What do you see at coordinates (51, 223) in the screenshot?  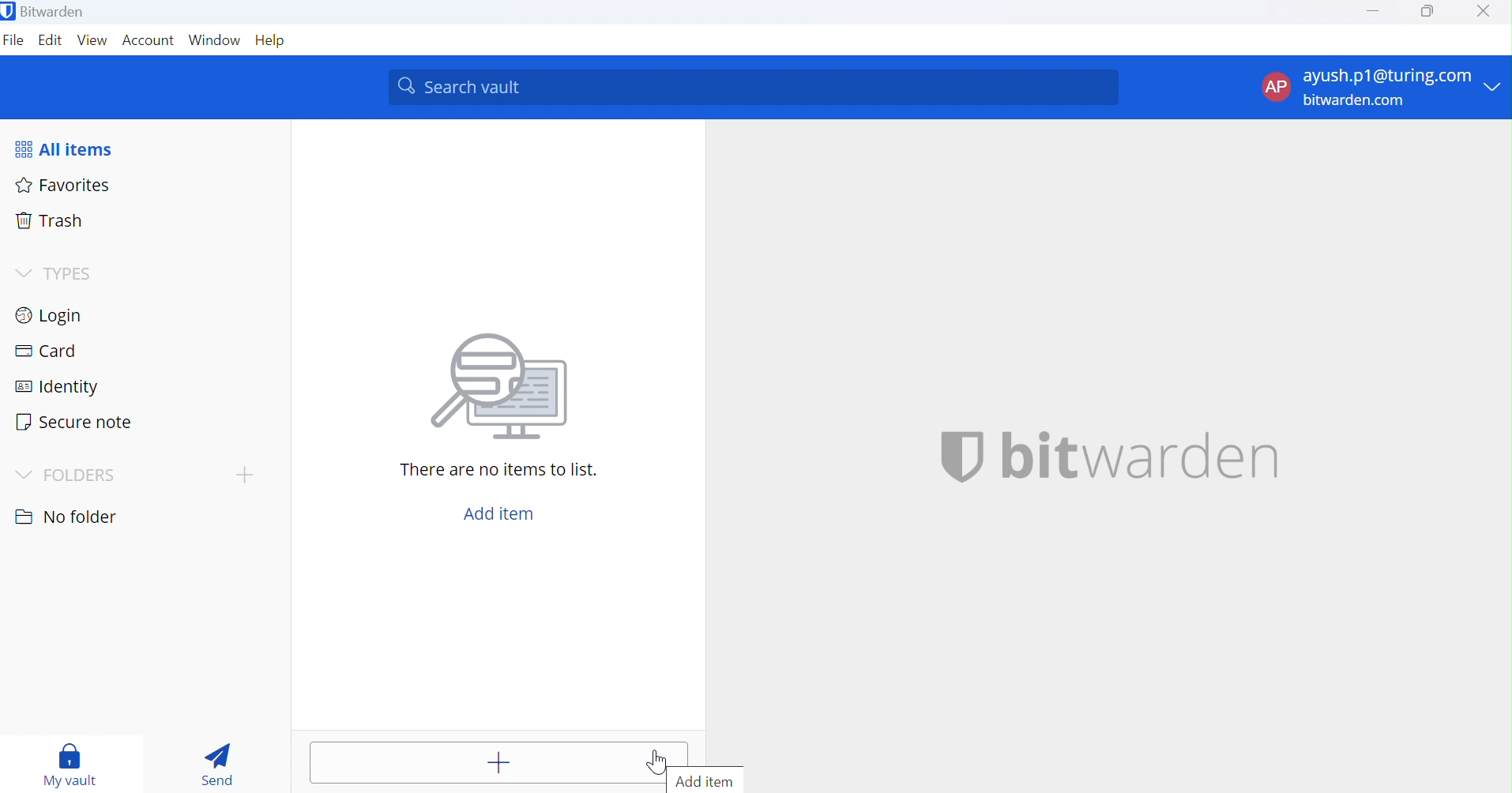 I see `Trash` at bounding box center [51, 223].